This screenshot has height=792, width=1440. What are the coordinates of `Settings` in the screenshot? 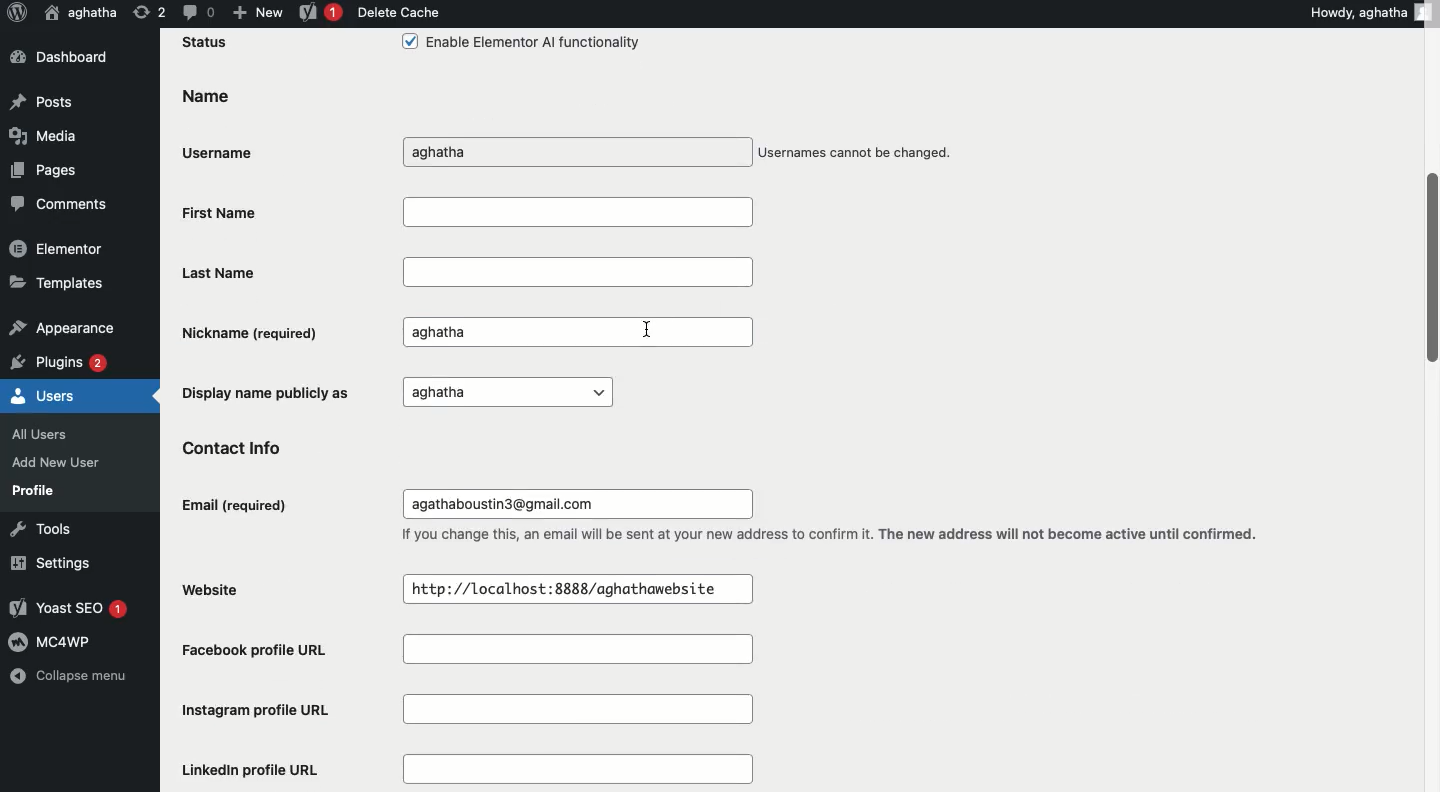 It's located at (47, 563).